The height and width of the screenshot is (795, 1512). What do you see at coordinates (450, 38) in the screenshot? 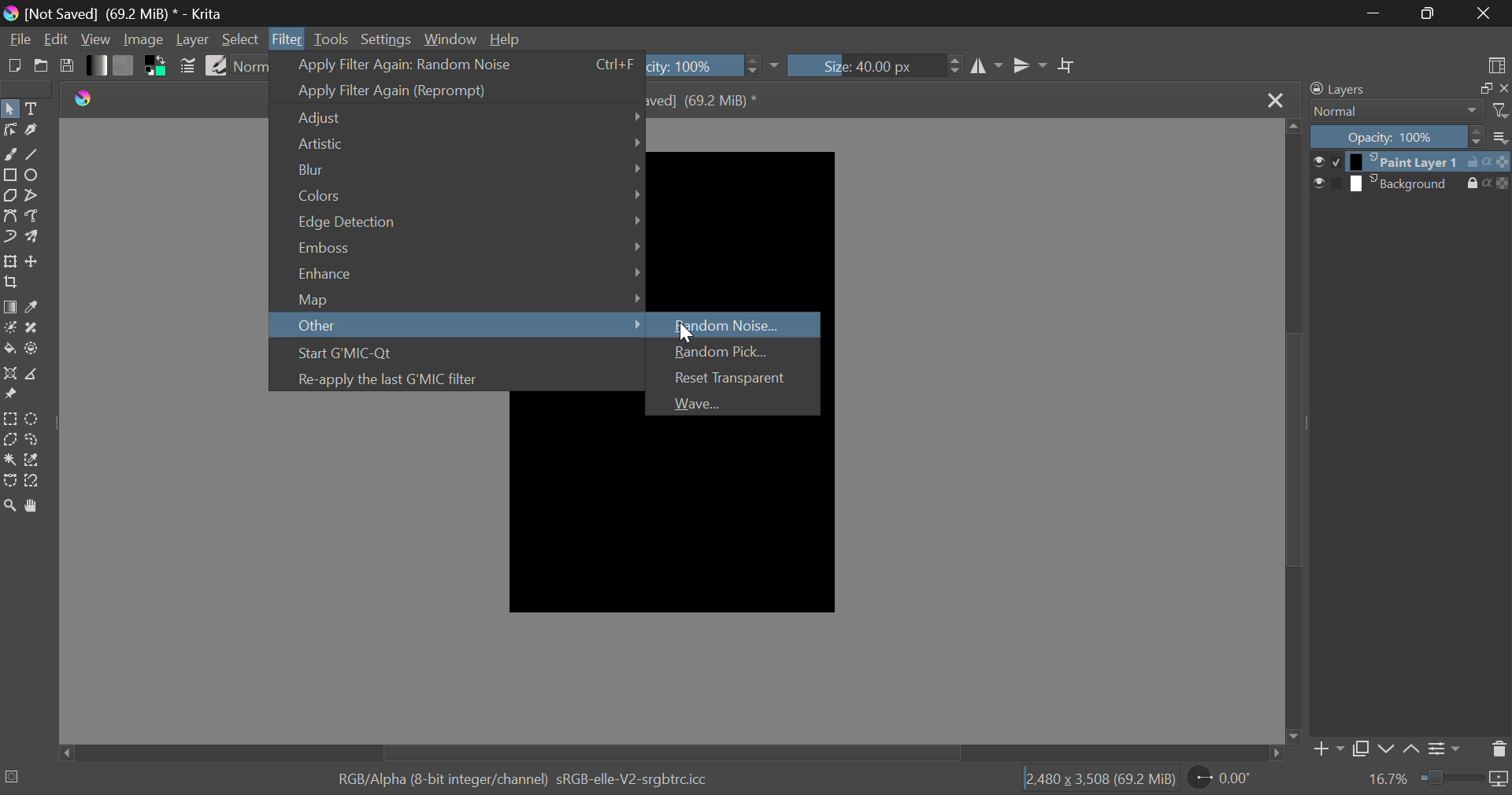
I see `Window` at bounding box center [450, 38].